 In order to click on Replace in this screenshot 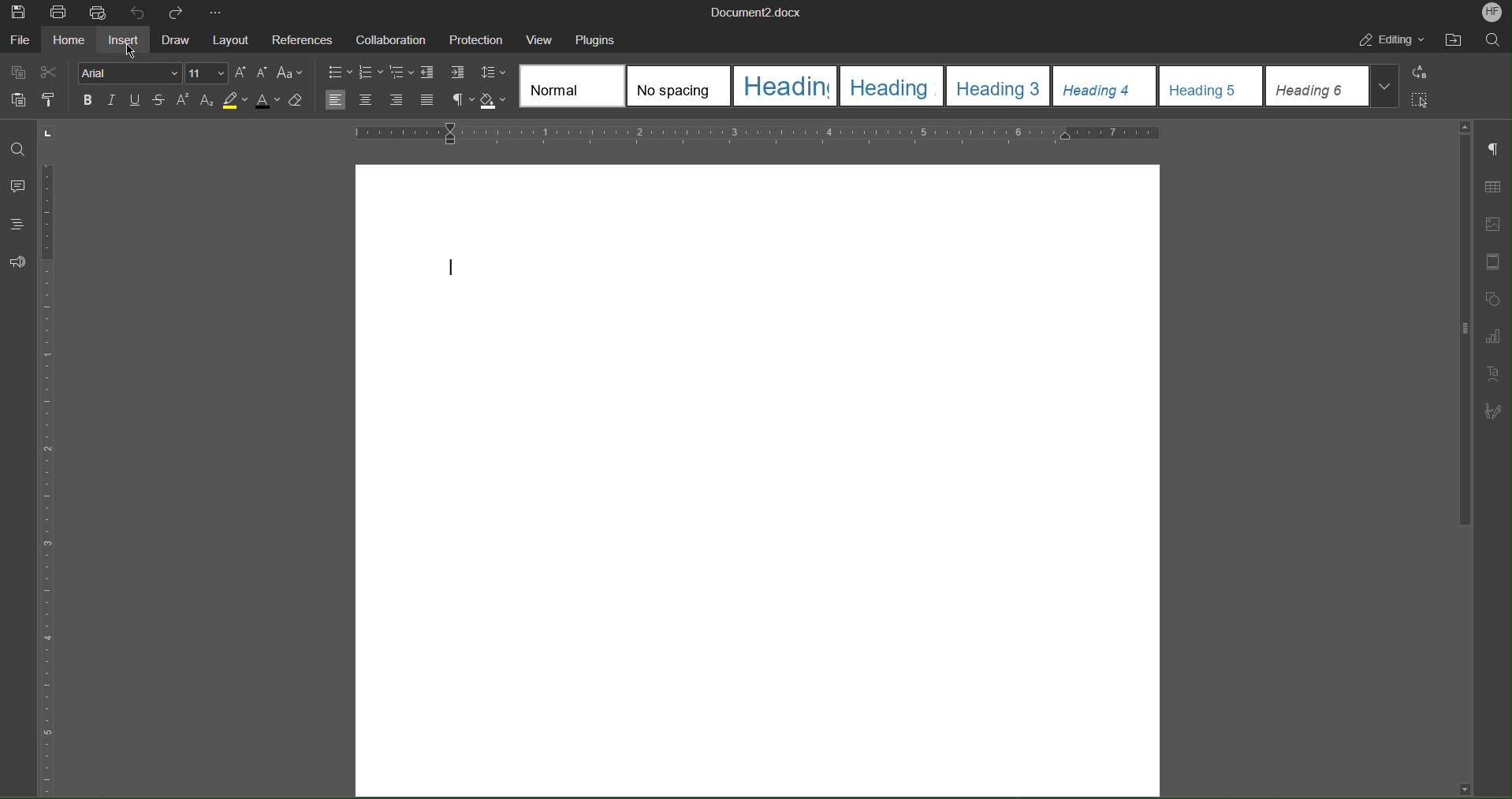, I will do `click(1420, 72)`.